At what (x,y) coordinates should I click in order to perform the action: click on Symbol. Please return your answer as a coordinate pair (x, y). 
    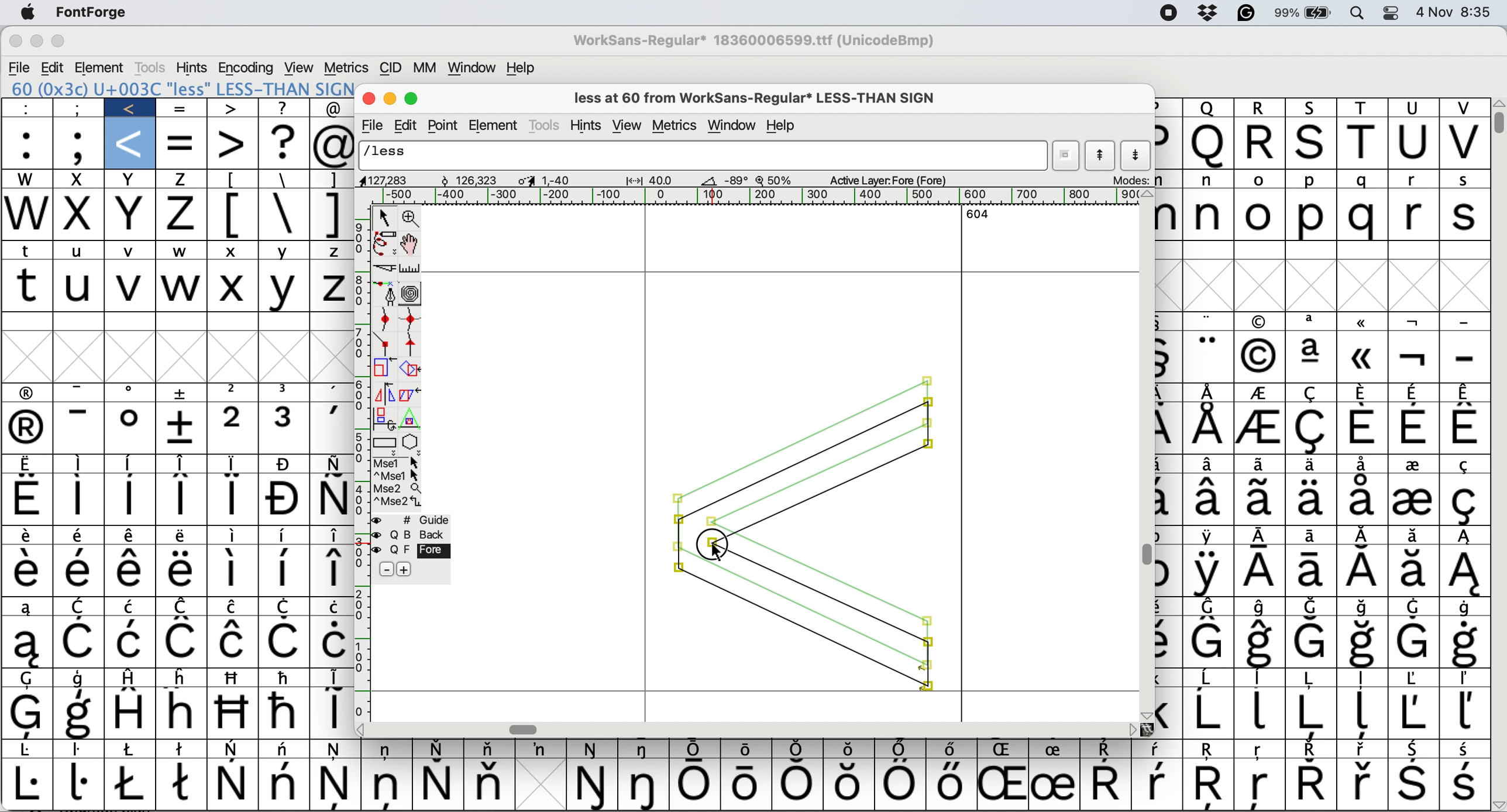
    Looking at the image, I should click on (29, 679).